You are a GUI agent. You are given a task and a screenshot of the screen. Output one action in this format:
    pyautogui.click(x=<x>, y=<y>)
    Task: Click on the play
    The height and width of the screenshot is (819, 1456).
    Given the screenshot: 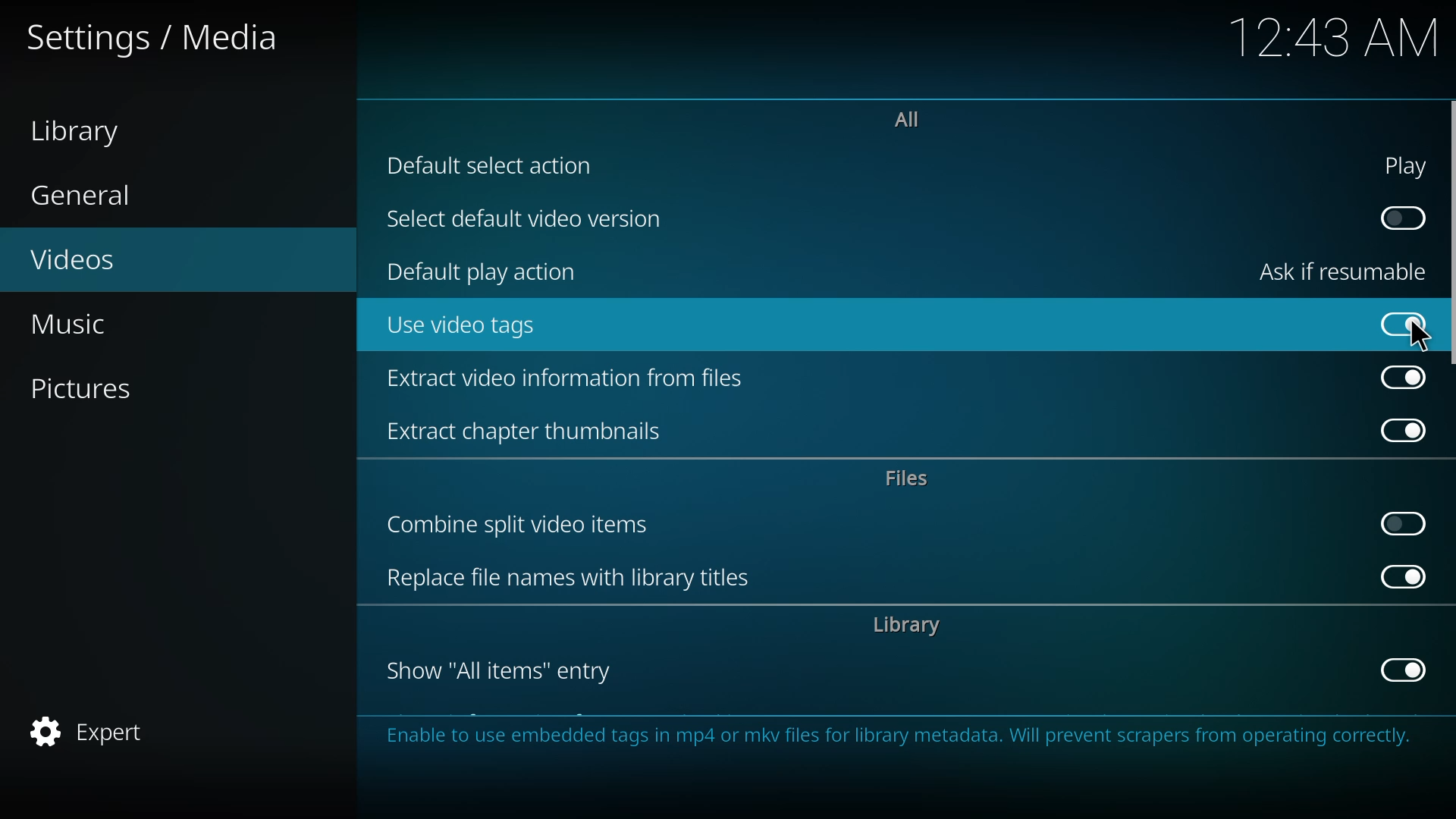 What is the action you would take?
    pyautogui.click(x=1407, y=165)
    